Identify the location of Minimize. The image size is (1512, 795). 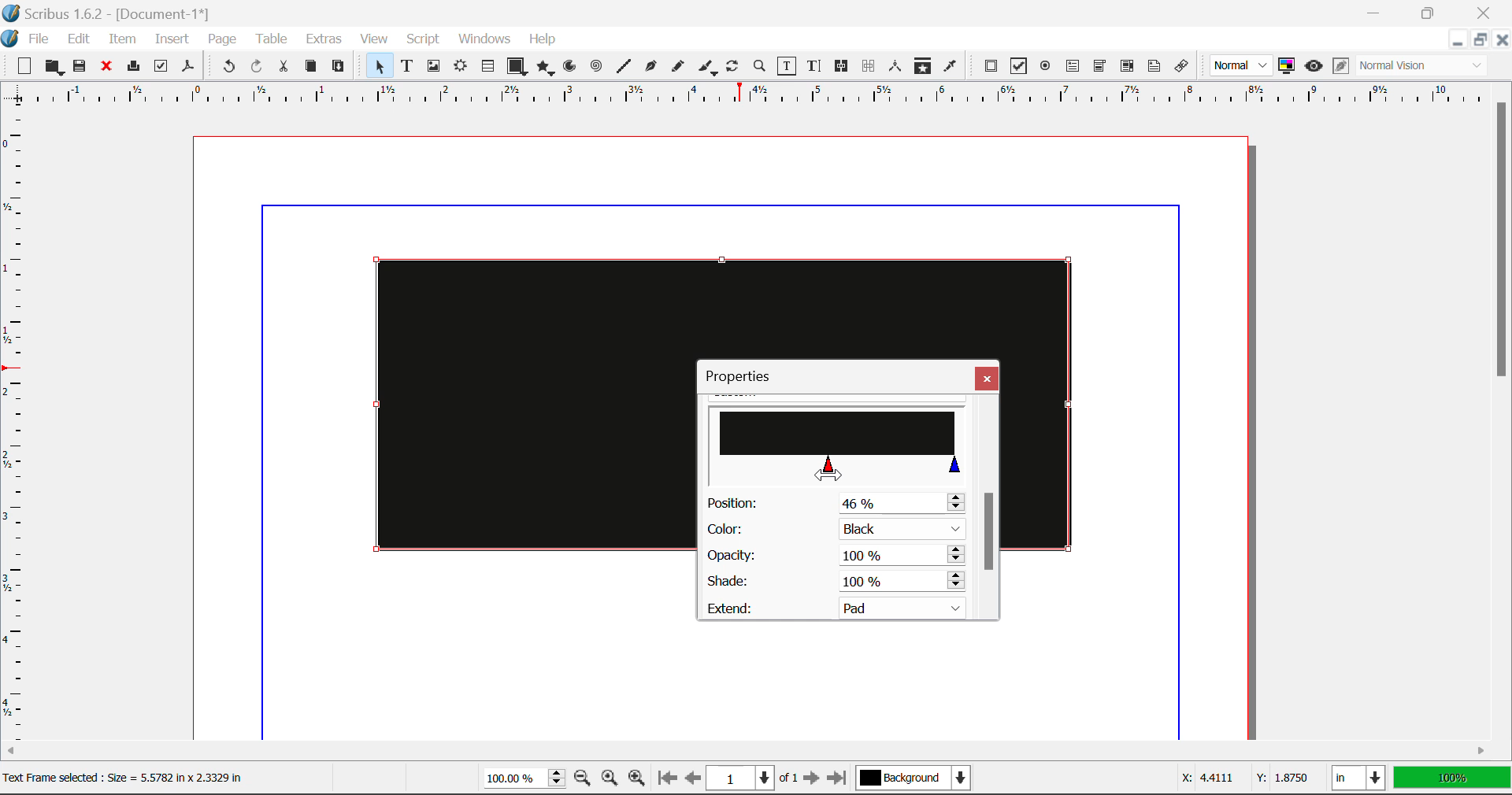
(1429, 11).